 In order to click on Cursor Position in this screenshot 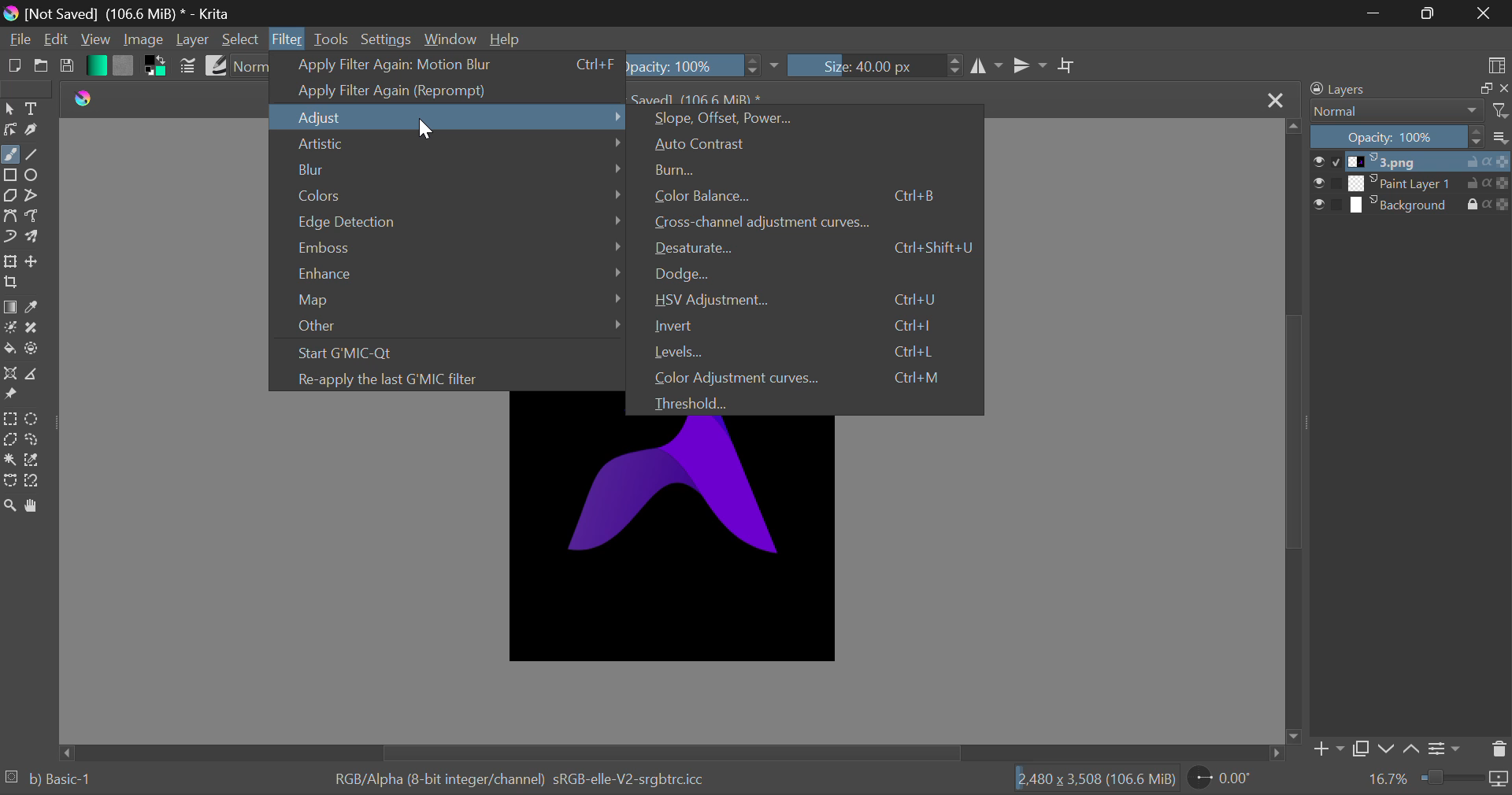, I will do `click(426, 130)`.